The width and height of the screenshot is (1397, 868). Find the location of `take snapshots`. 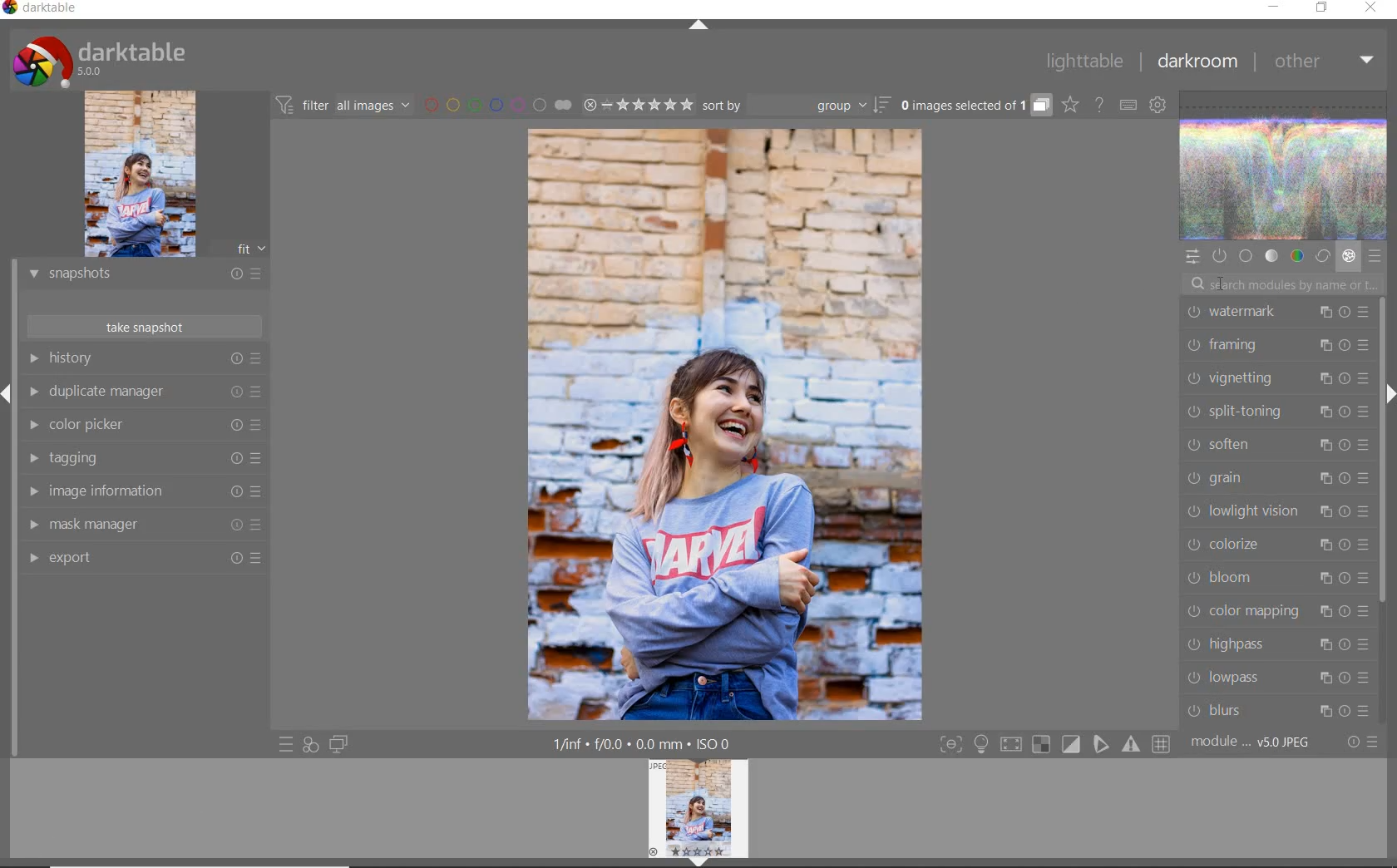

take snapshots is located at coordinates (143, 328).